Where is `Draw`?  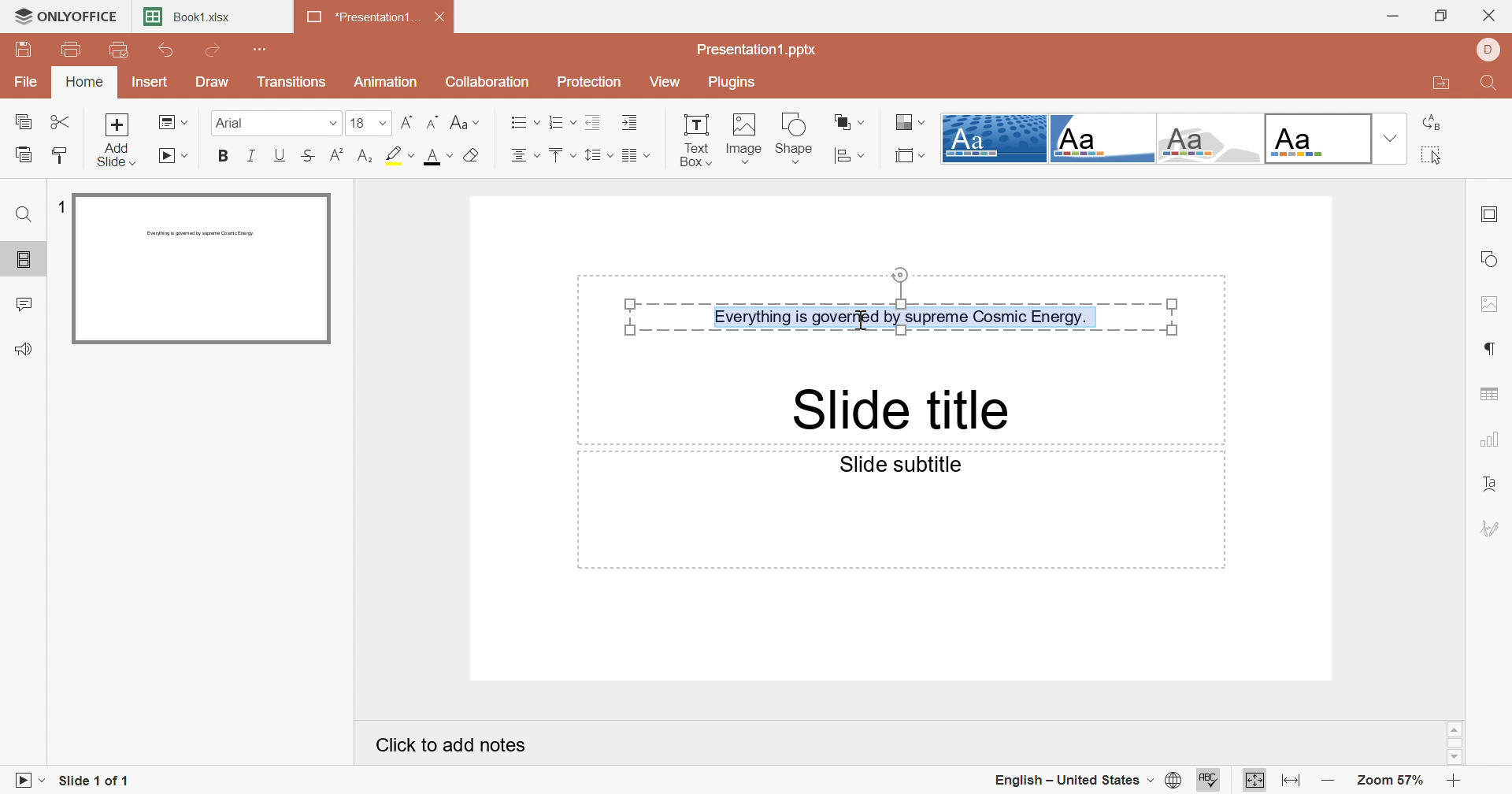 Draw is located at coordinates (213, 83).